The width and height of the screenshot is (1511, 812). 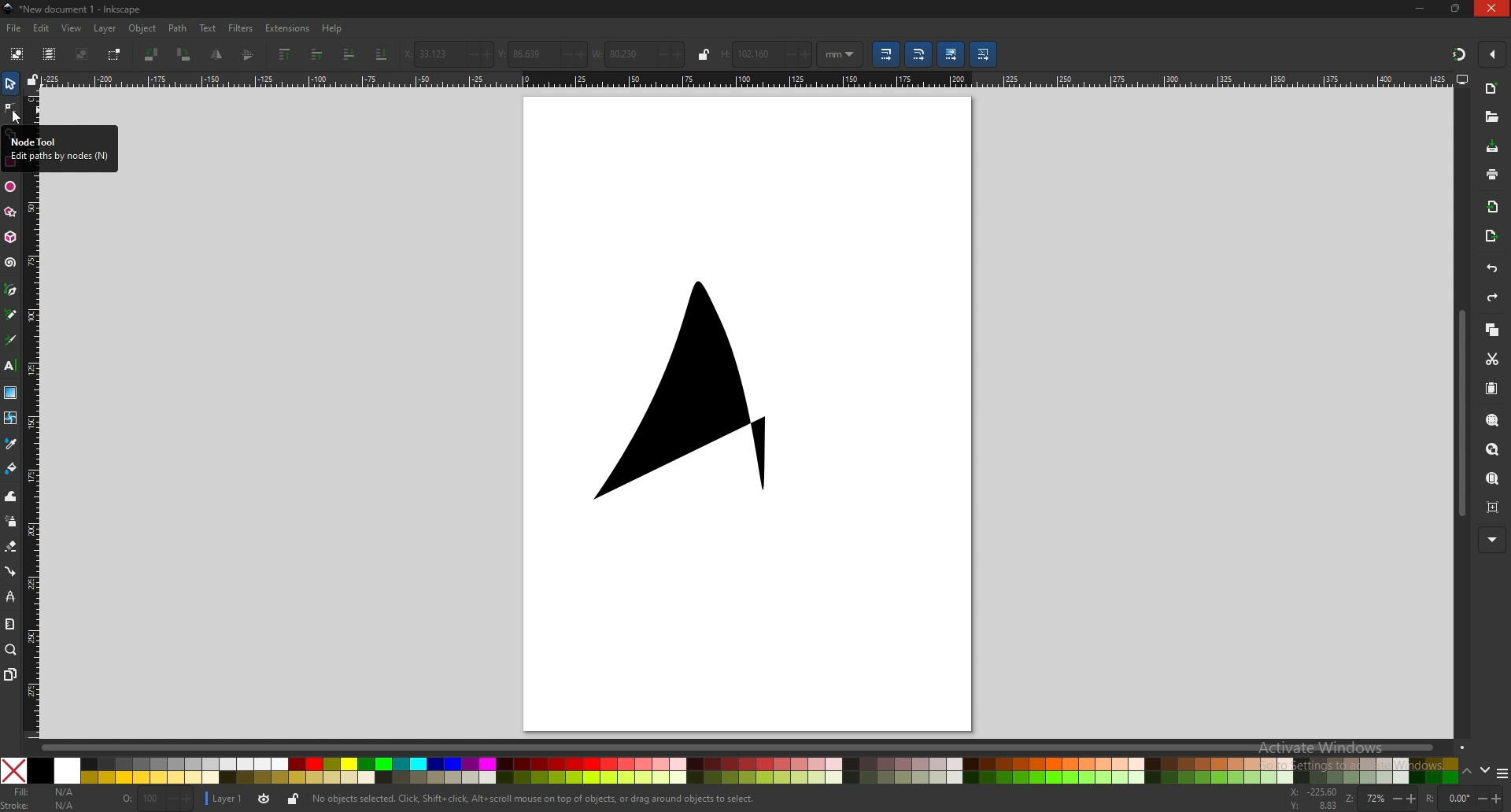 What do you see at coordinates (11, 417) in the screenshot?
I see `mesh` at bounding box center [11, 417].